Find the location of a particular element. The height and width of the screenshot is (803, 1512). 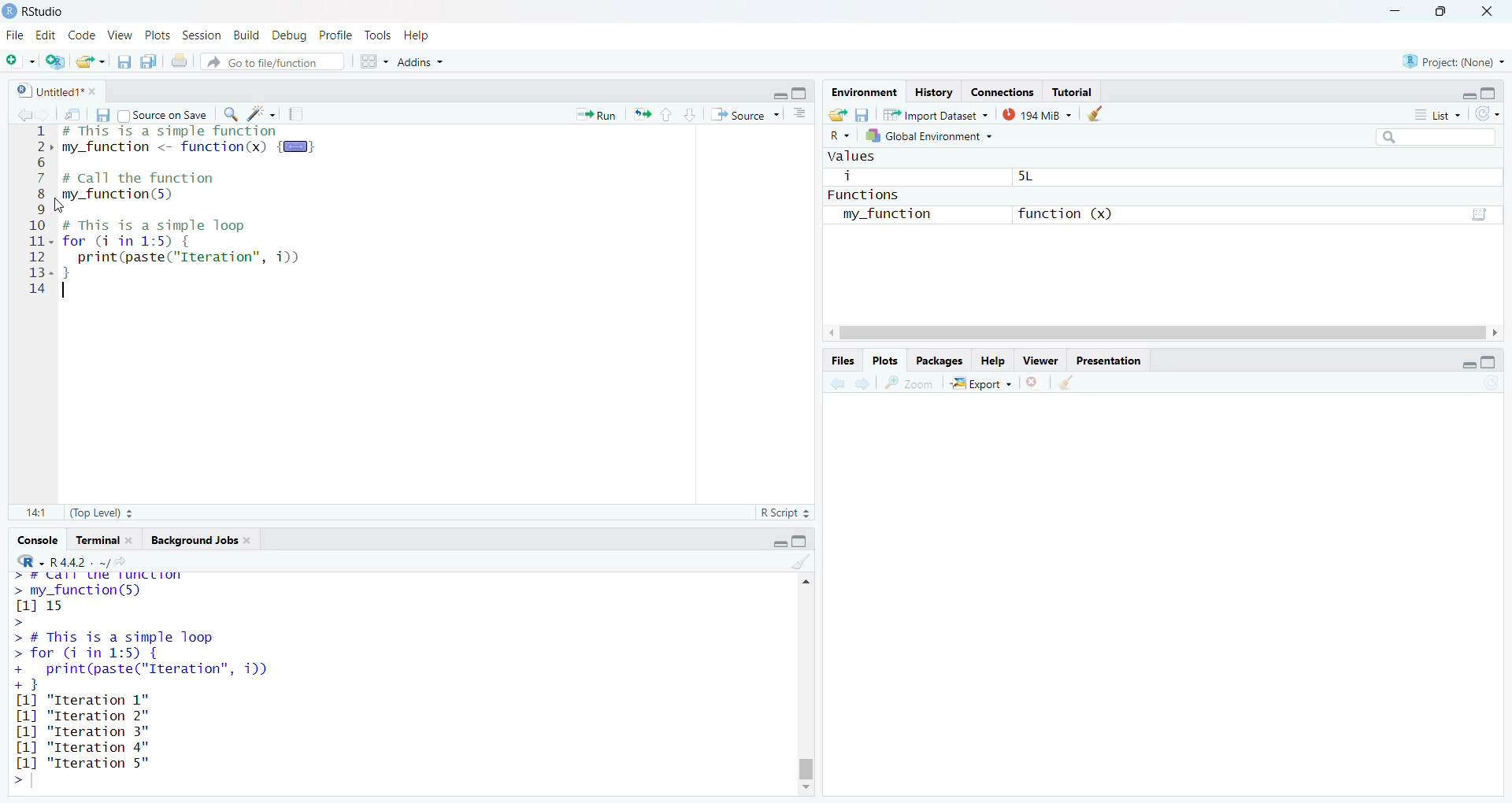

code of a simple loop is located at coordinates (189, 246).